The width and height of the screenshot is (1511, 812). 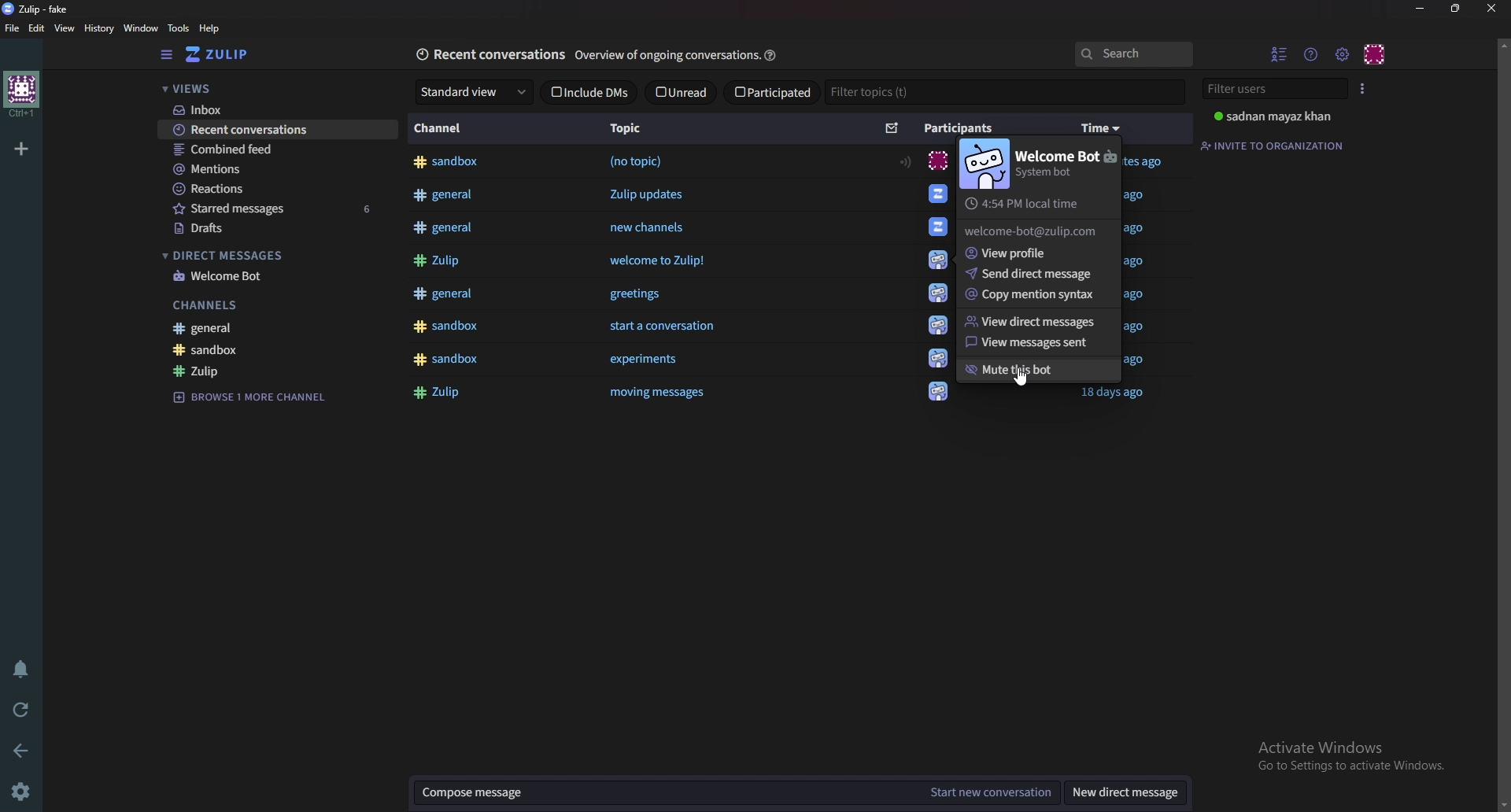 What do you see at coordinates (1029, 253) in the screenshot?
I see `View profile` at bounding box center [1029, 253].